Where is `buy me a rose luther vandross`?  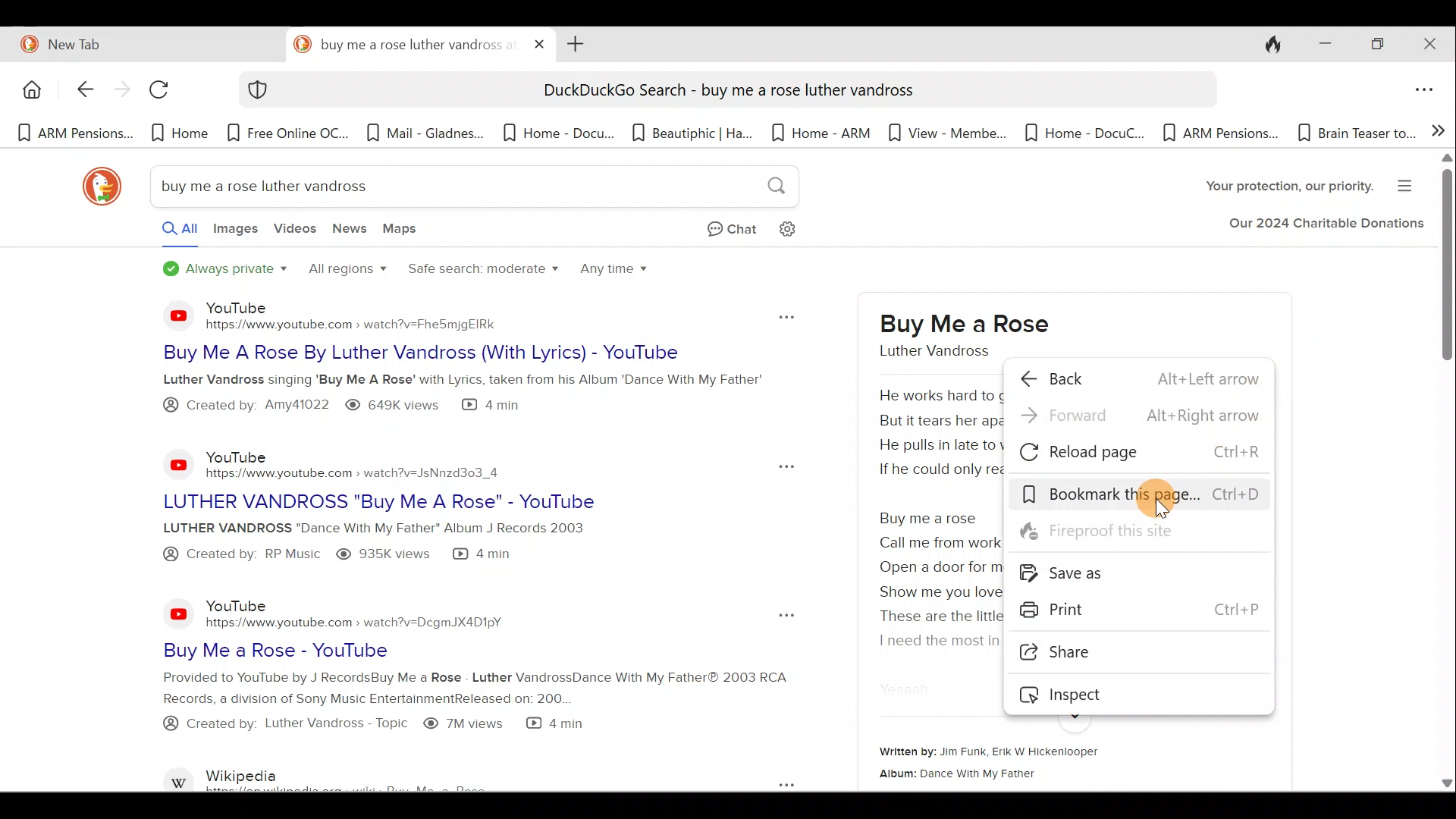 buy me a rose luther vandross is located at coordinates (957, 335).